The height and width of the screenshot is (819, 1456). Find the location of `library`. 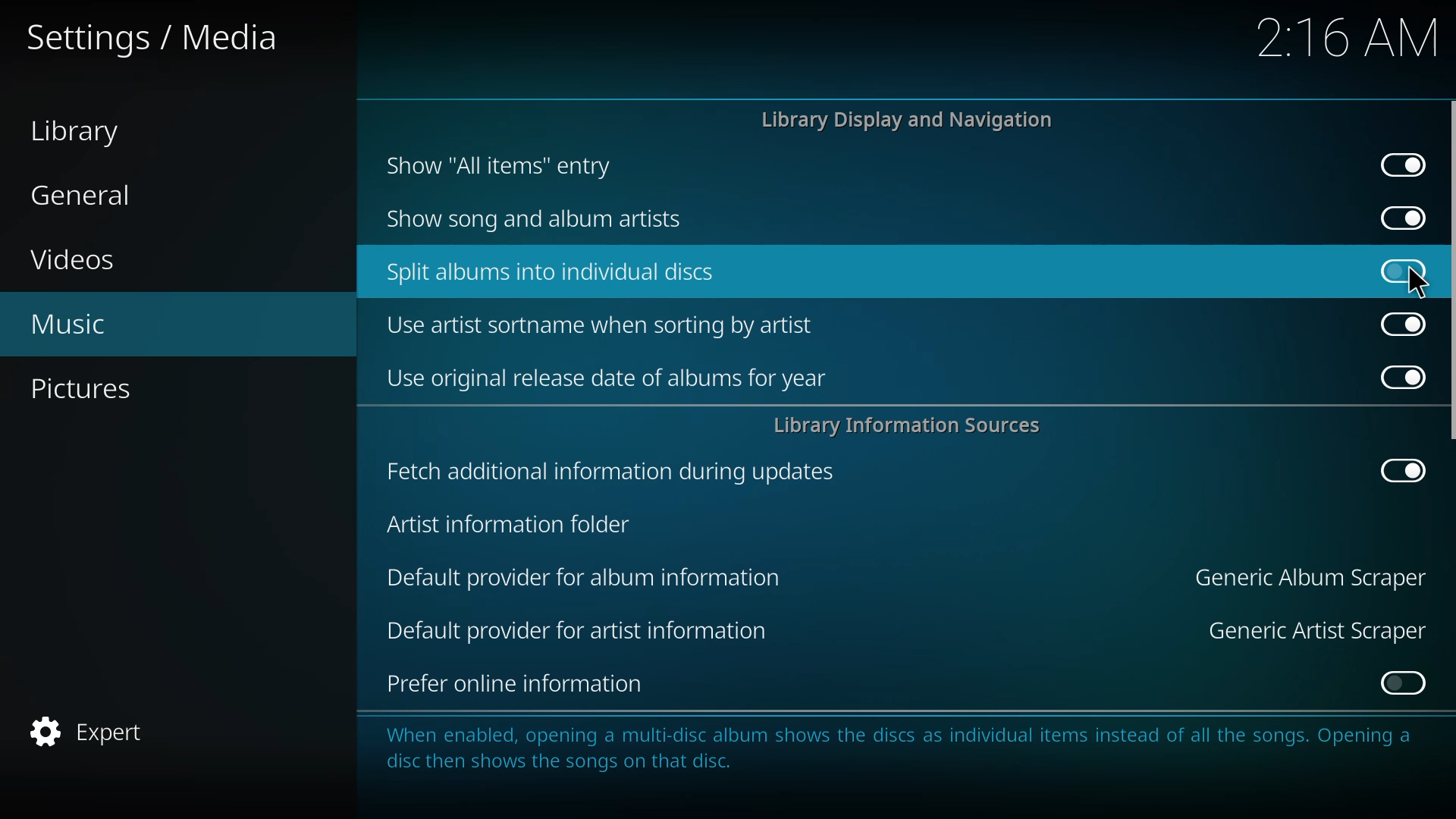

library is located at coordinates (80, 132).